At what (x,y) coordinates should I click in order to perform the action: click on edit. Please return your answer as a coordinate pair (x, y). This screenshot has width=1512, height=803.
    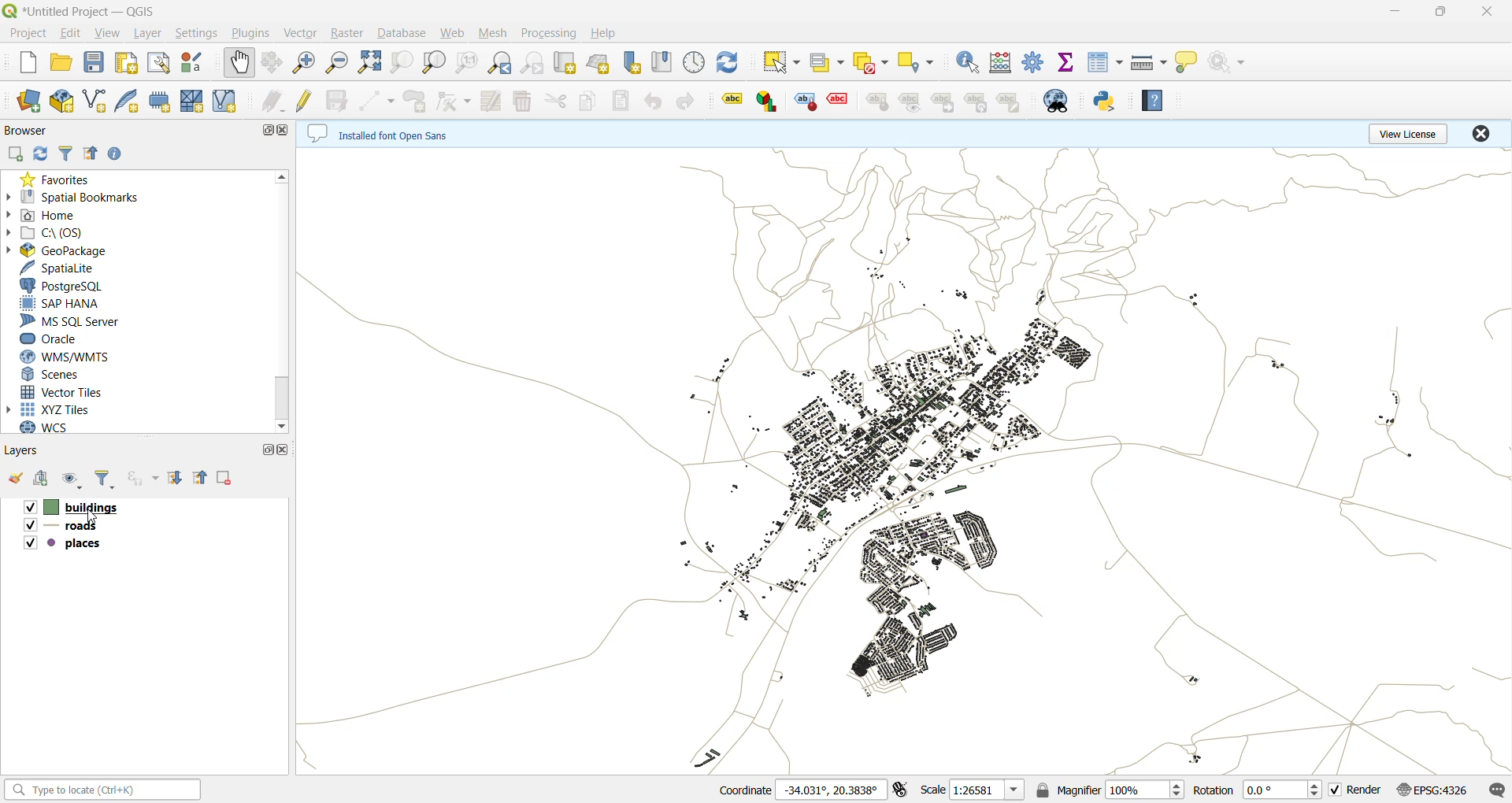
    Looking at the image, I should click on (74, 33).